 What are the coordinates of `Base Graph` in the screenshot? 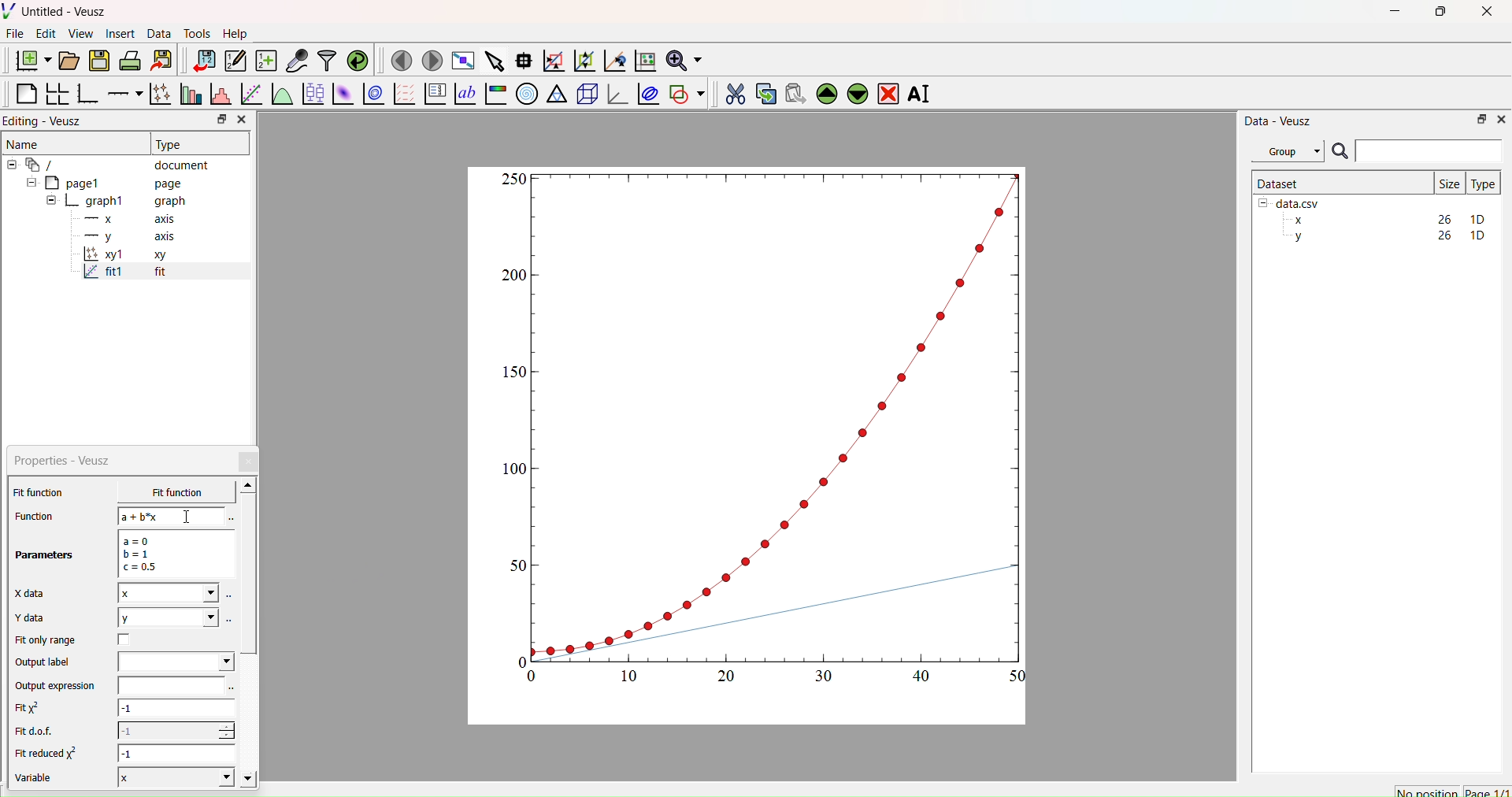 It's located at (85, 95).